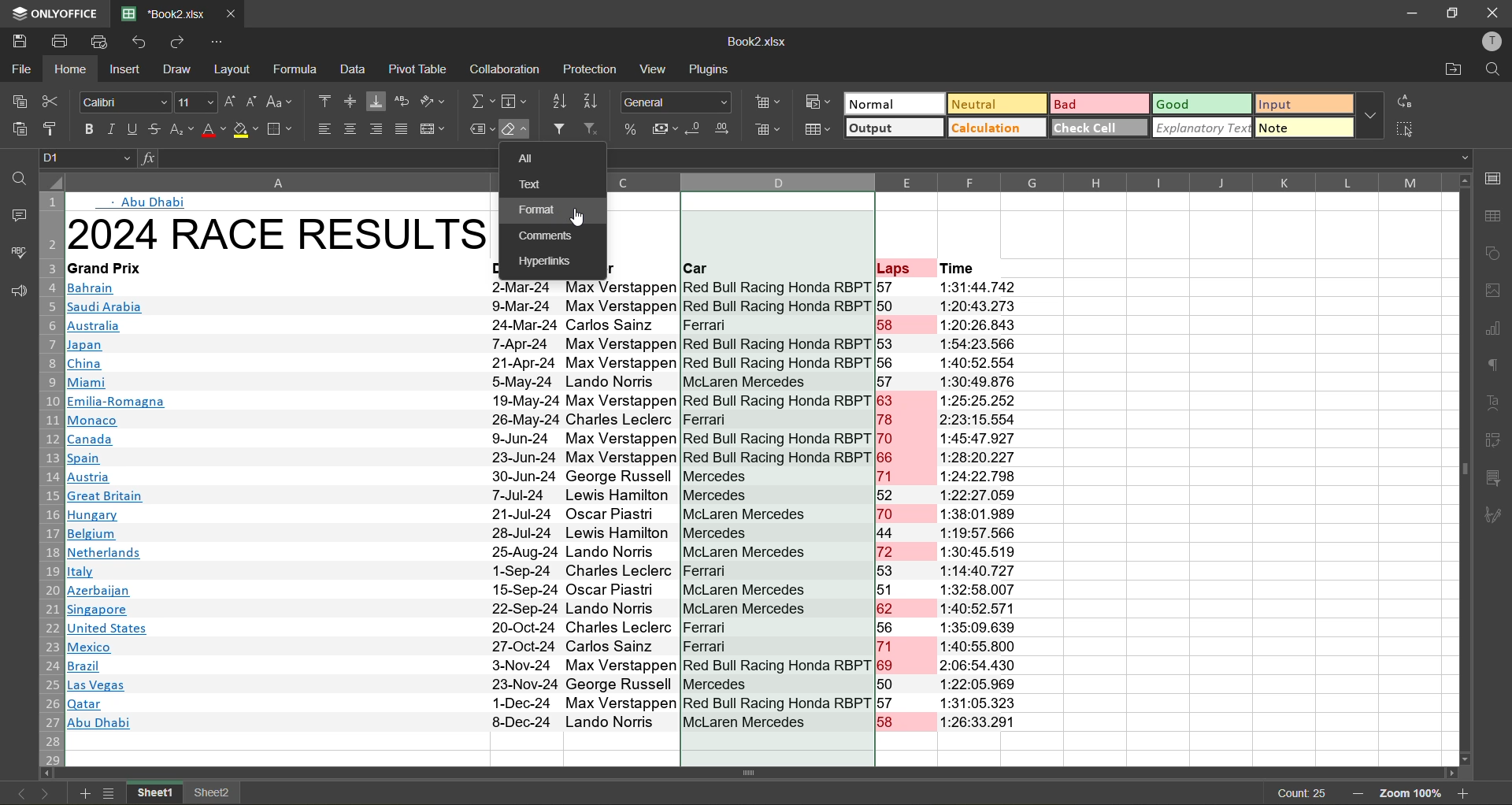 The width and height of the screenshot is (1512, 805). Describe the element at coordinates (156, 128) in the screenshot. I see `strikethrough` at that location.